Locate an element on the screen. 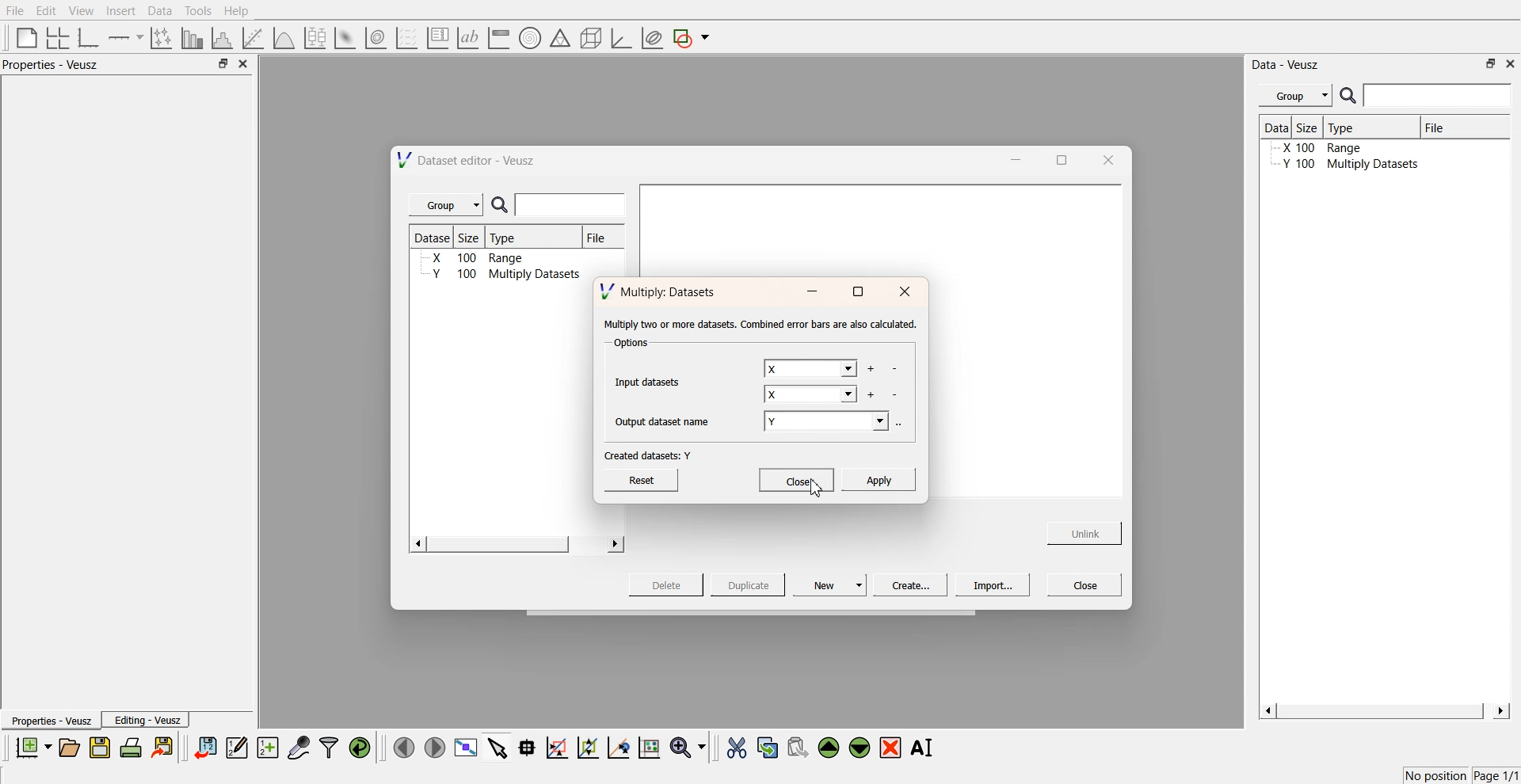  edit and enter data points is located at coordinates (237, 749).